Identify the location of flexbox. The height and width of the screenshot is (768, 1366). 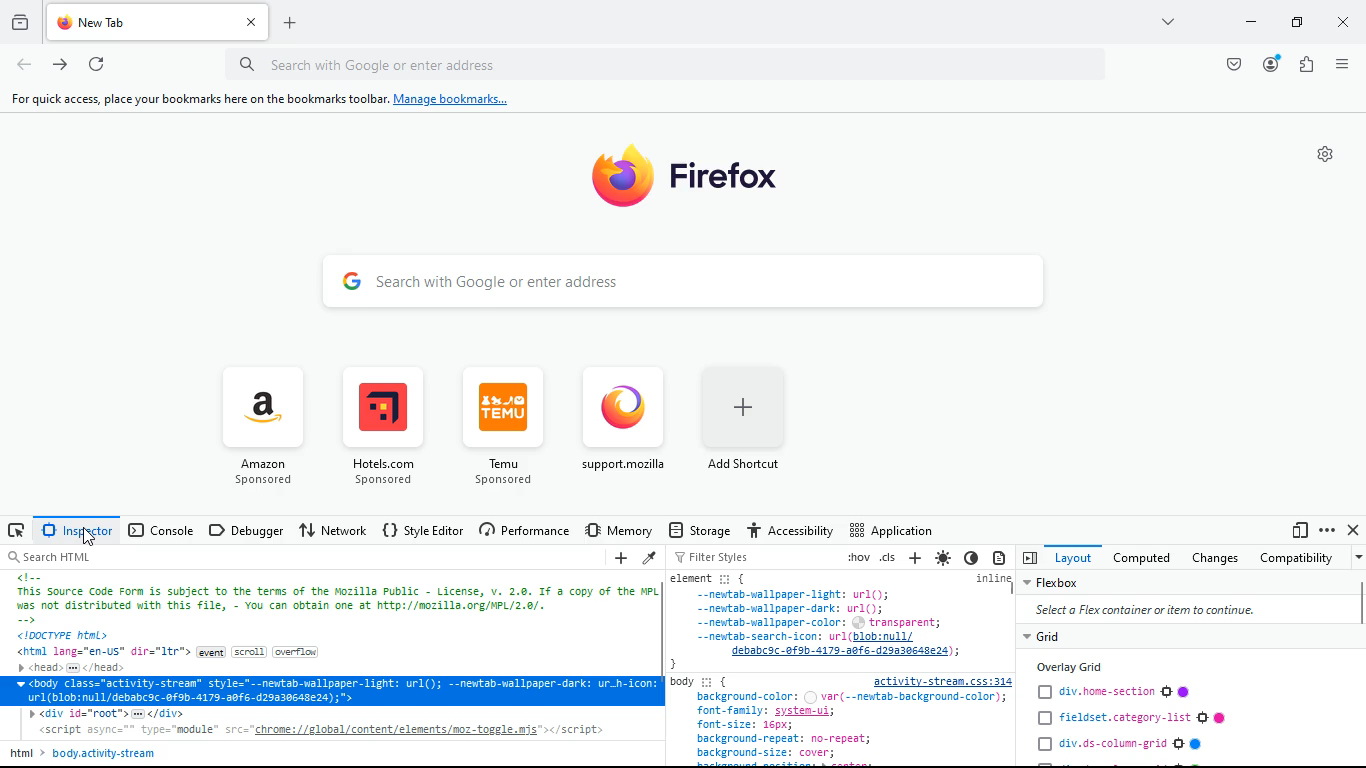
(1064, 583).